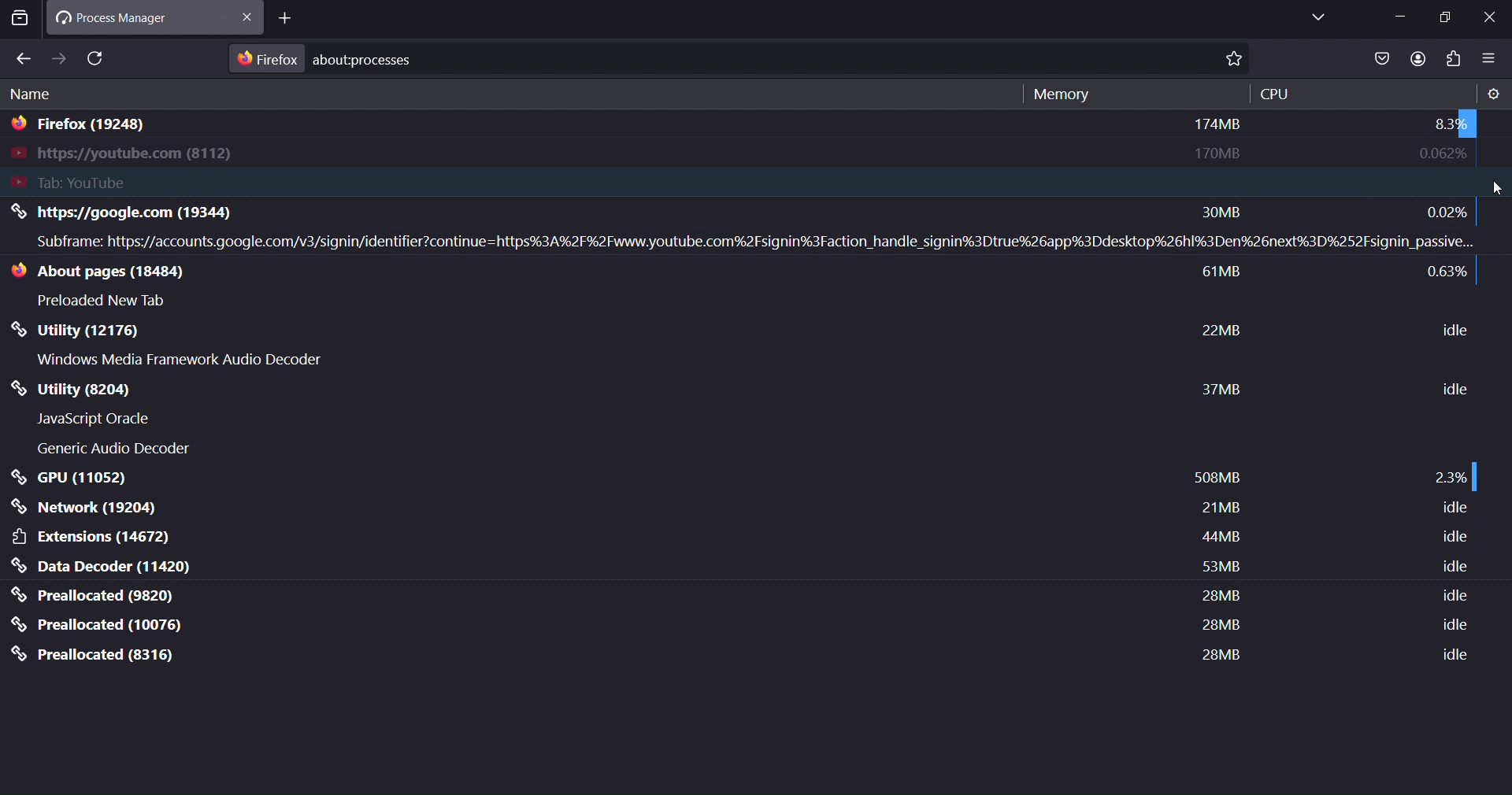 This screenshot has width=1512, height=795. What do you see at coordinates (1222, 598) in the screenshot?
I see `28mb` at bounding box center [1222, 598].